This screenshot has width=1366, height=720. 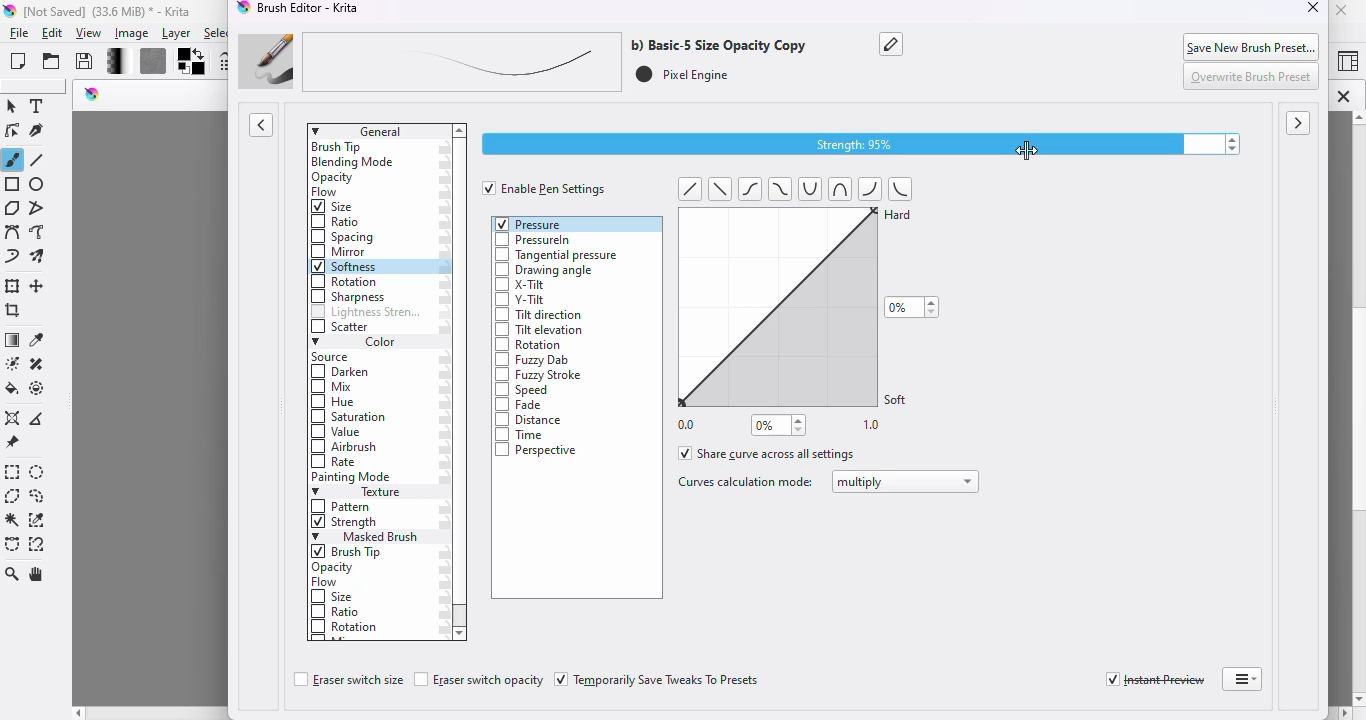 What do you see at coordinates (532, 421) in the screenshot?
I see `distance` at bounding box center [532, 421].